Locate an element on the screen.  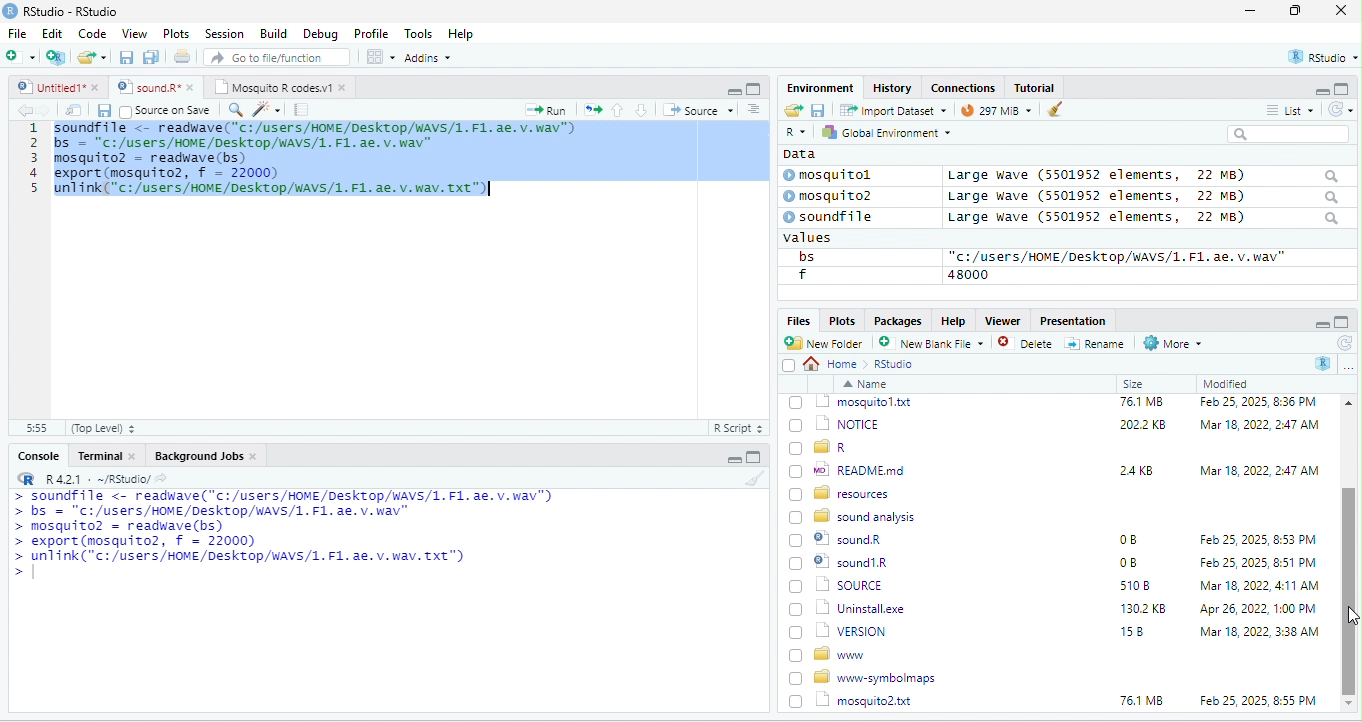
Session is located at coordinates (225, 32).